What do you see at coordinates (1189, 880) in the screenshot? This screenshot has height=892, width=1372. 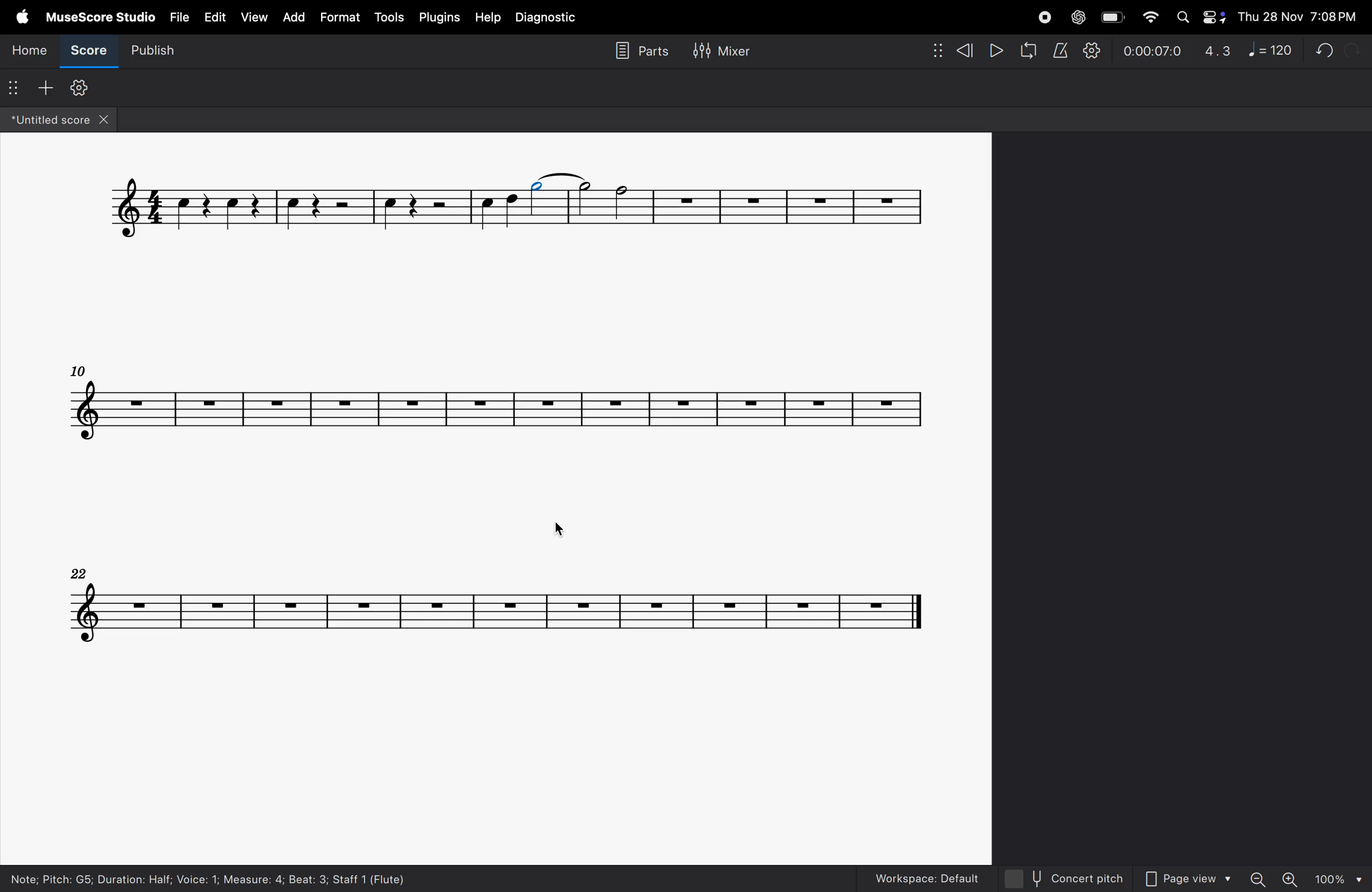 I see `page view` at bounding box center [1189, 880].